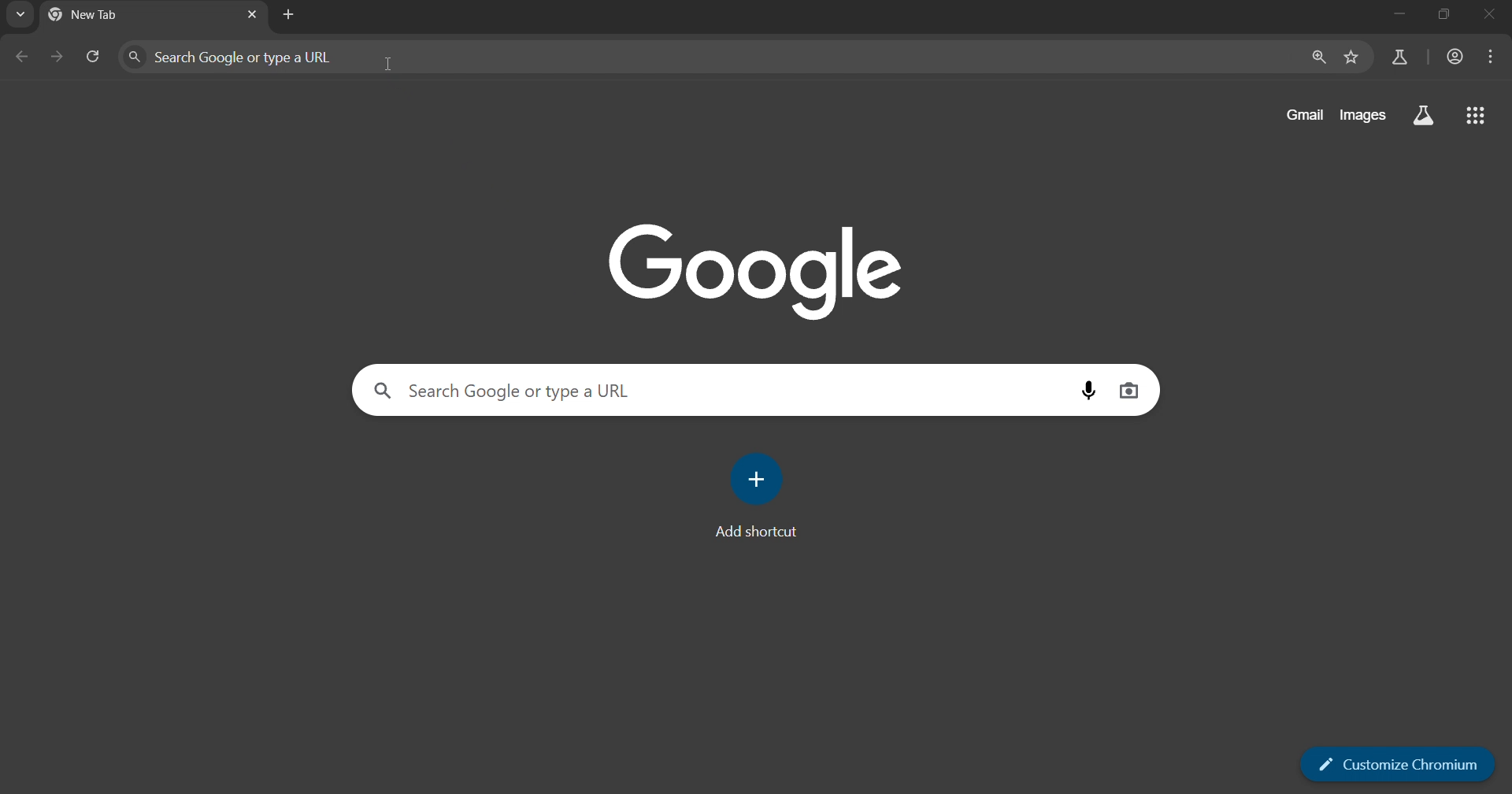 The image size is (1512, 794). I want to click on reload page, so click(92, 59).